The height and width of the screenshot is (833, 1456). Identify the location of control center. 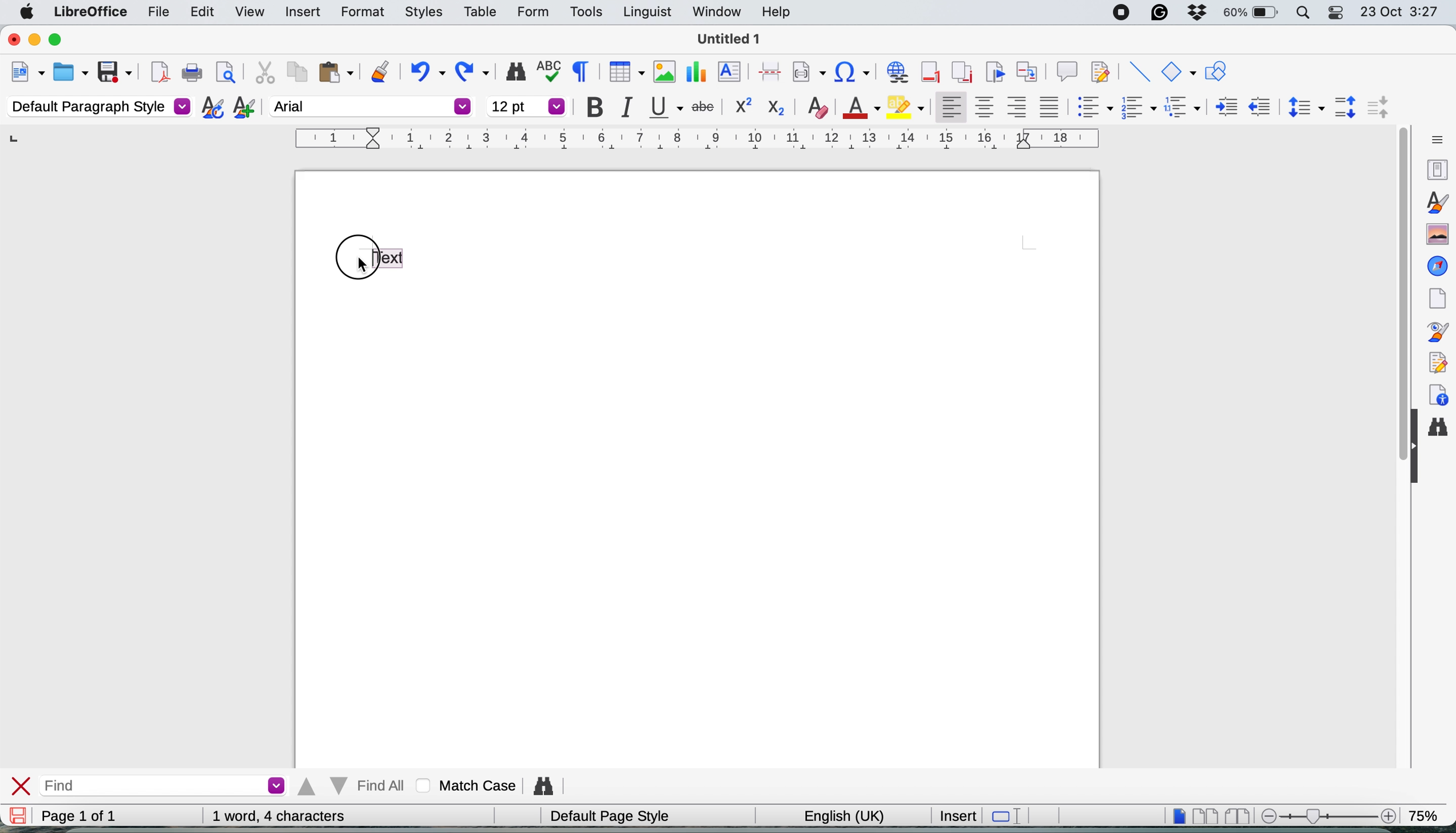
(1338, 14).